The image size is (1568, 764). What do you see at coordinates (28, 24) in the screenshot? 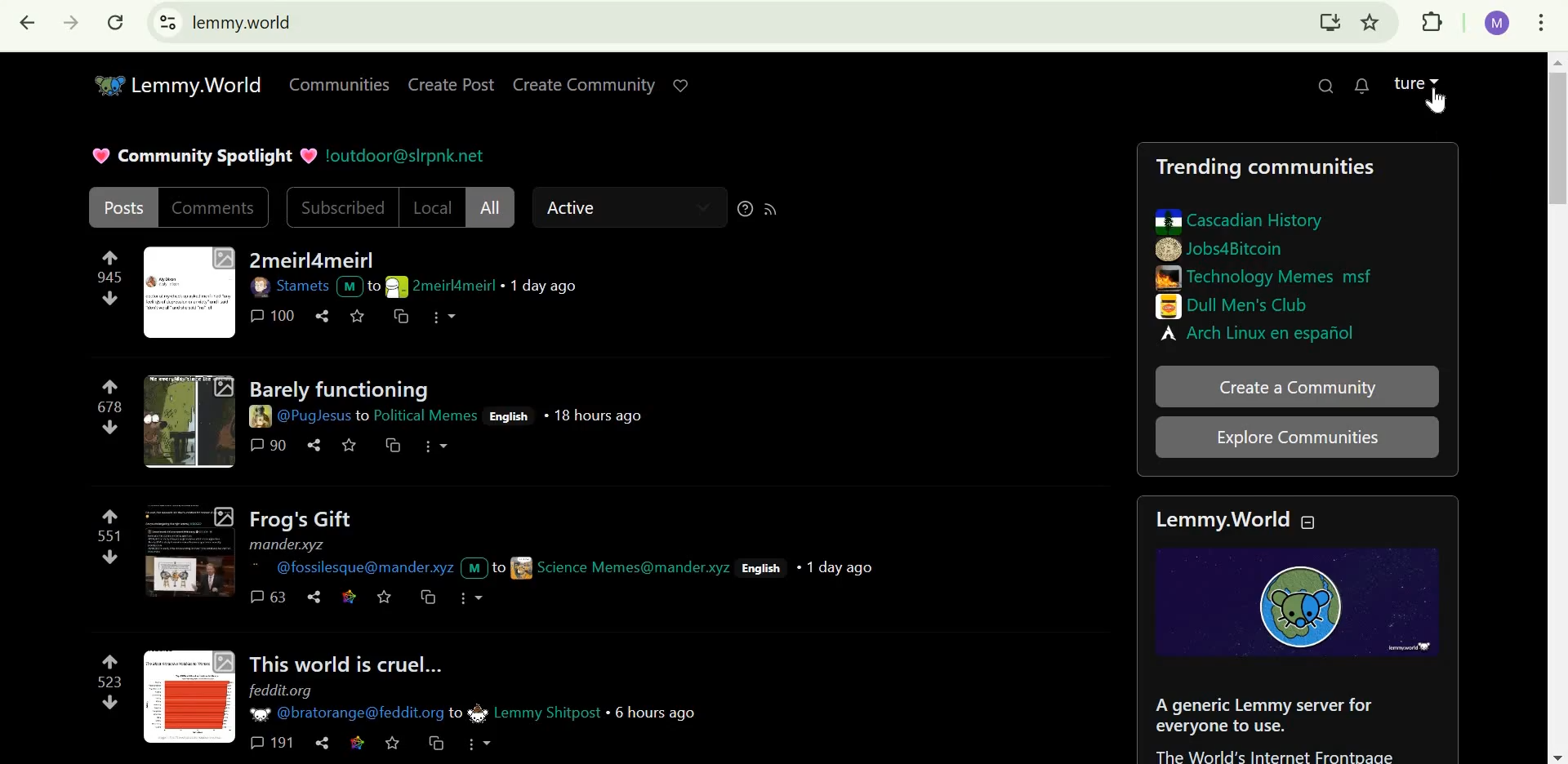
I see `click to go back, hold to see history` at bounding box center [28, 24].